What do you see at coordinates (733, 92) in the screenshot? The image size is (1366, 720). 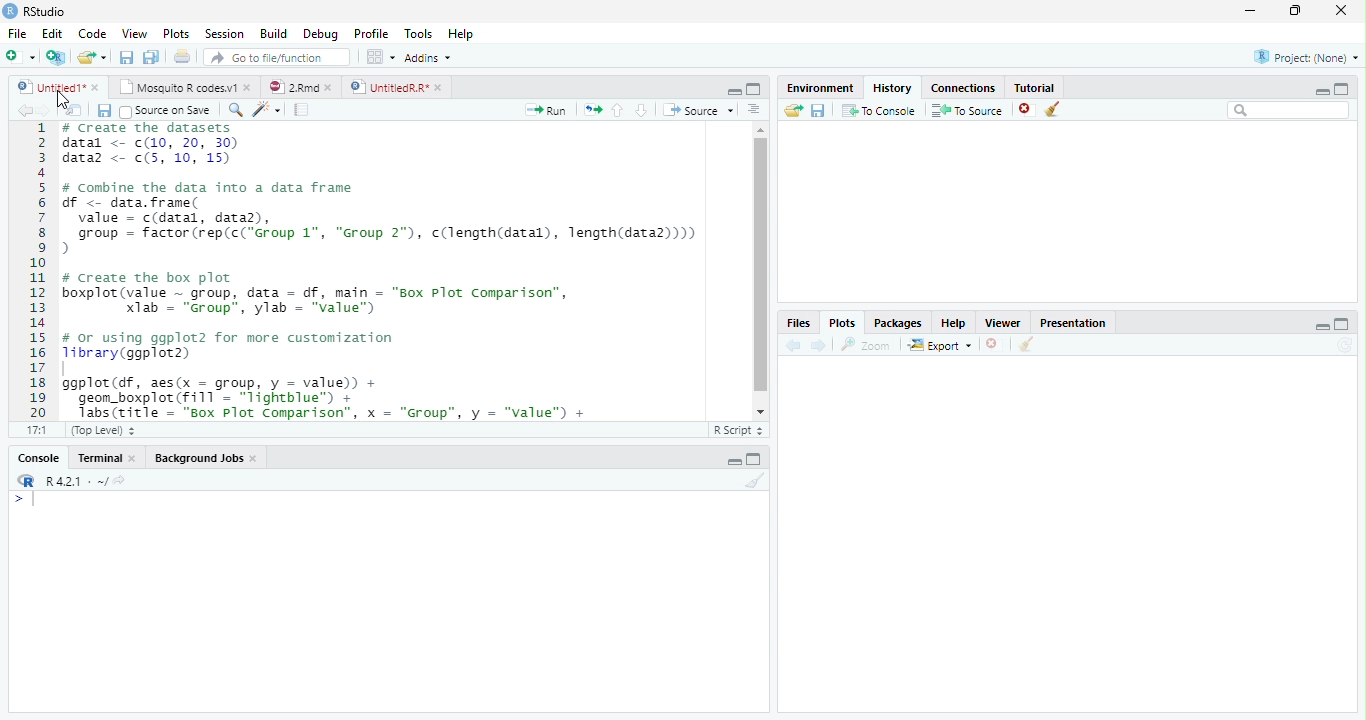 I see `Minimize` at bounding box center [733, 92].